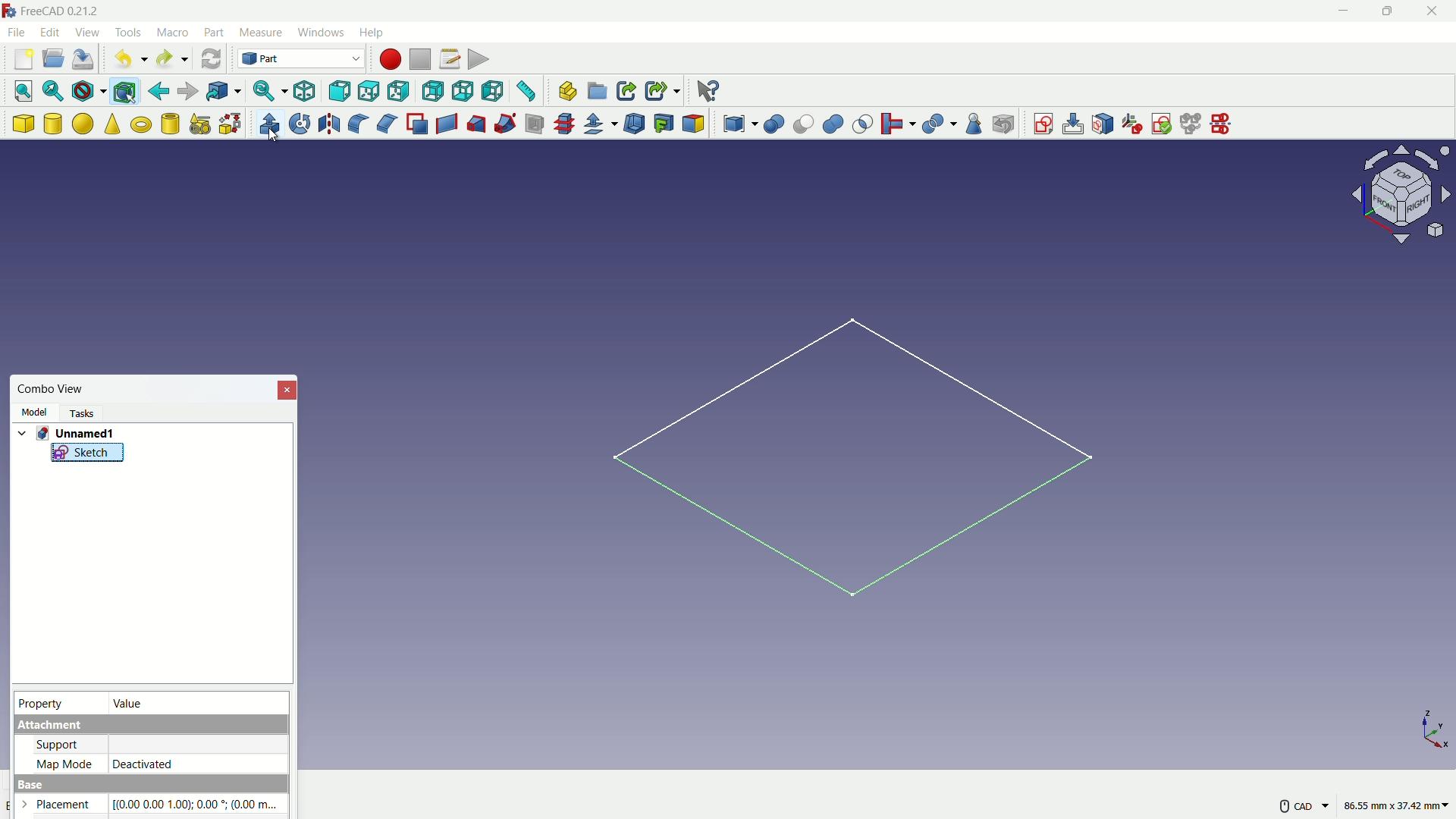 The image size is (1456, 819). I want to click on cone, so click(113, 123).